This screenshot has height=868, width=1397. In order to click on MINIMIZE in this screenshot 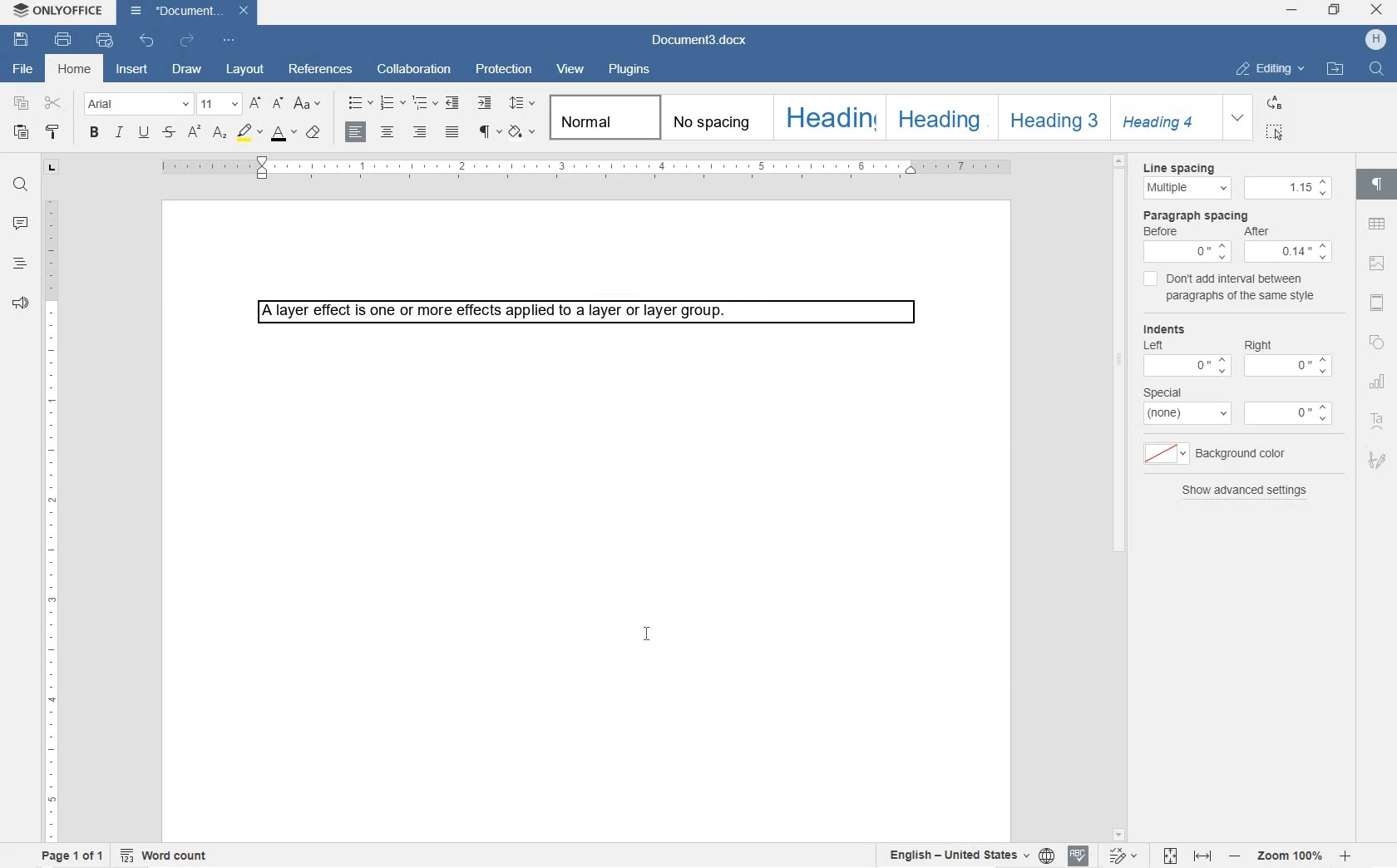, I will do `click(1291, 11)`.